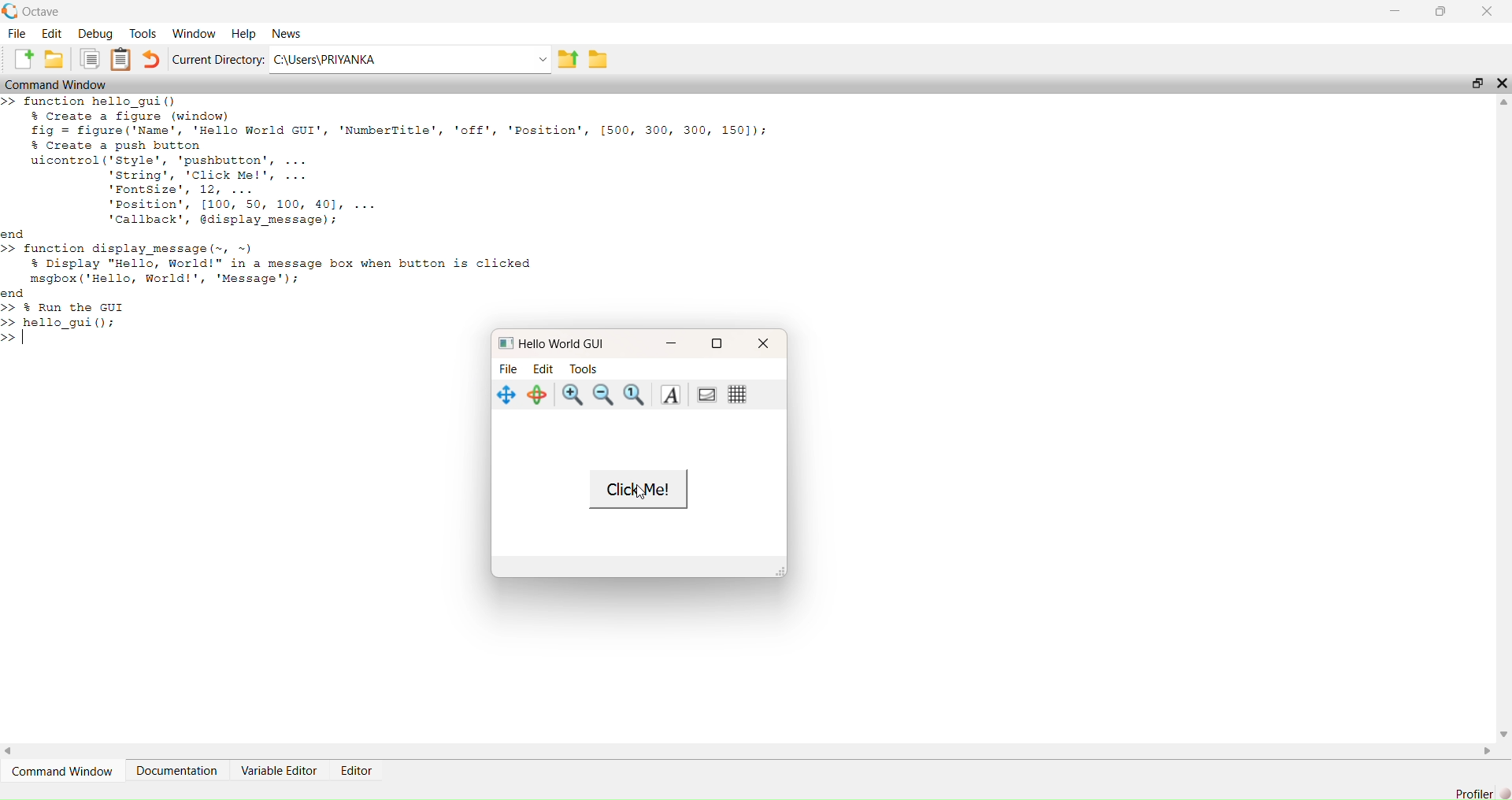 This screenshot has height=800, width=1512. I want to click on cursor, so click(643, 494).